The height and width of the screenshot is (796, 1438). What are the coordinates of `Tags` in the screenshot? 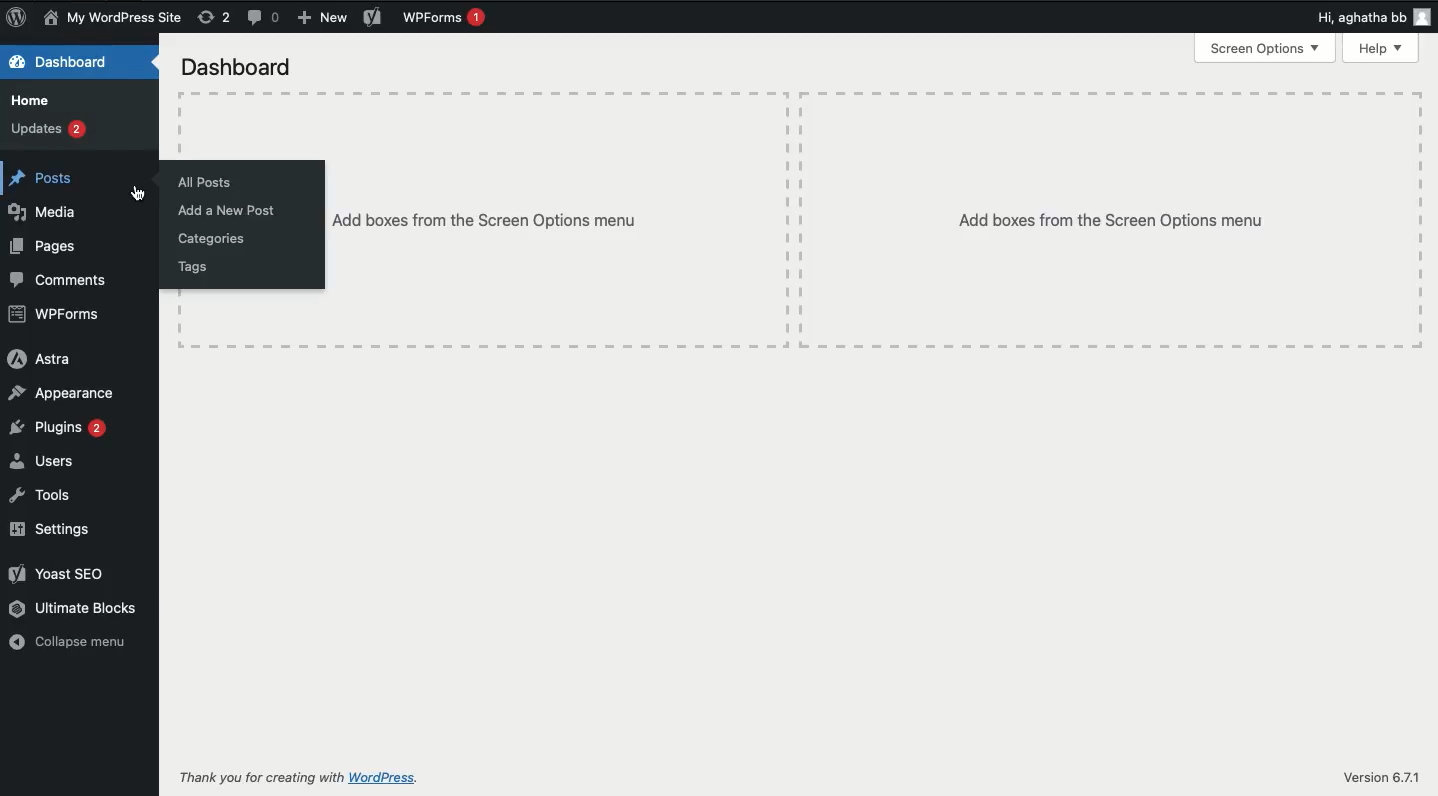 It's located at (192, 269).